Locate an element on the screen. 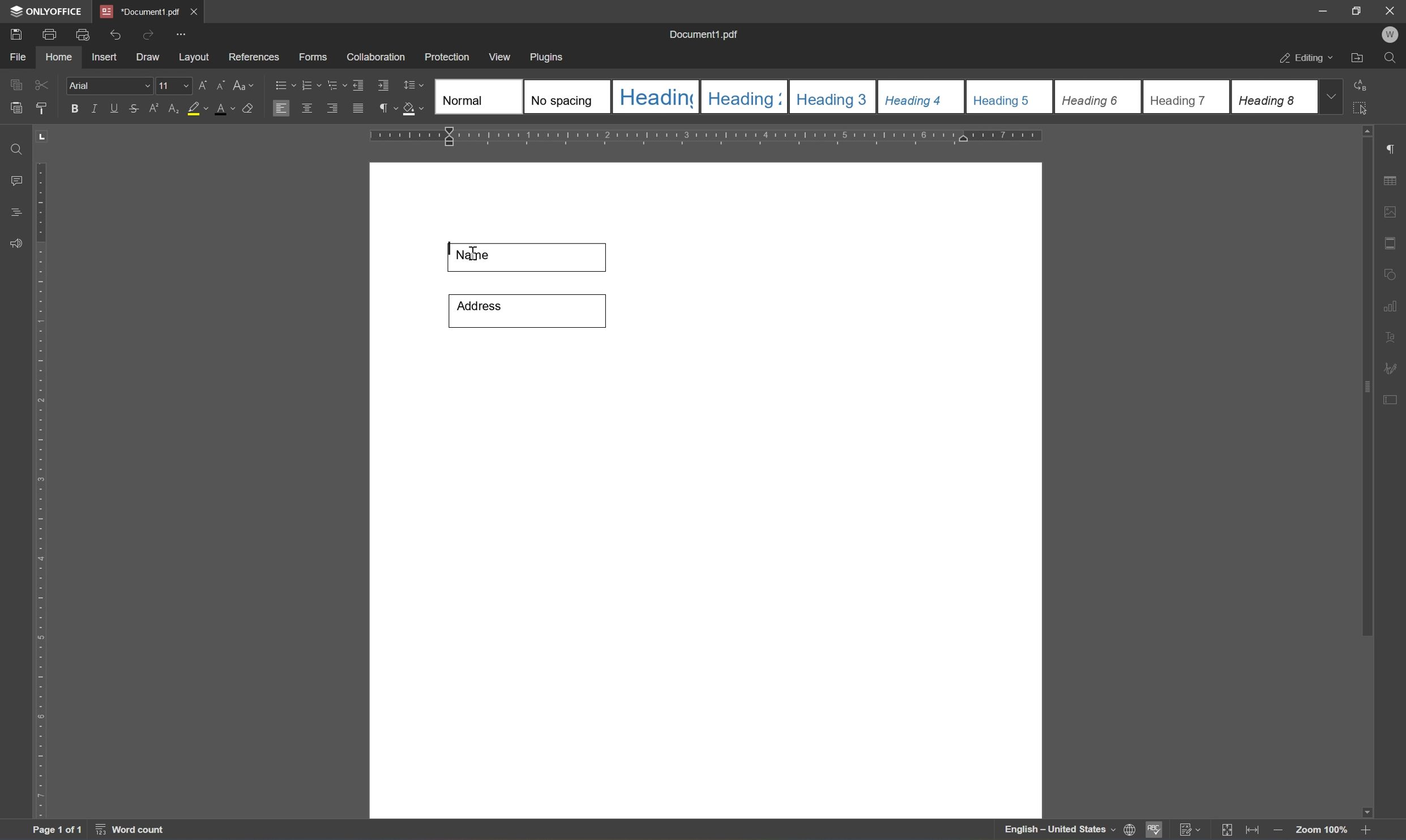 The height and width of the screenshot is (840, 1406). zoom out is located at coordinates (1369, 830).